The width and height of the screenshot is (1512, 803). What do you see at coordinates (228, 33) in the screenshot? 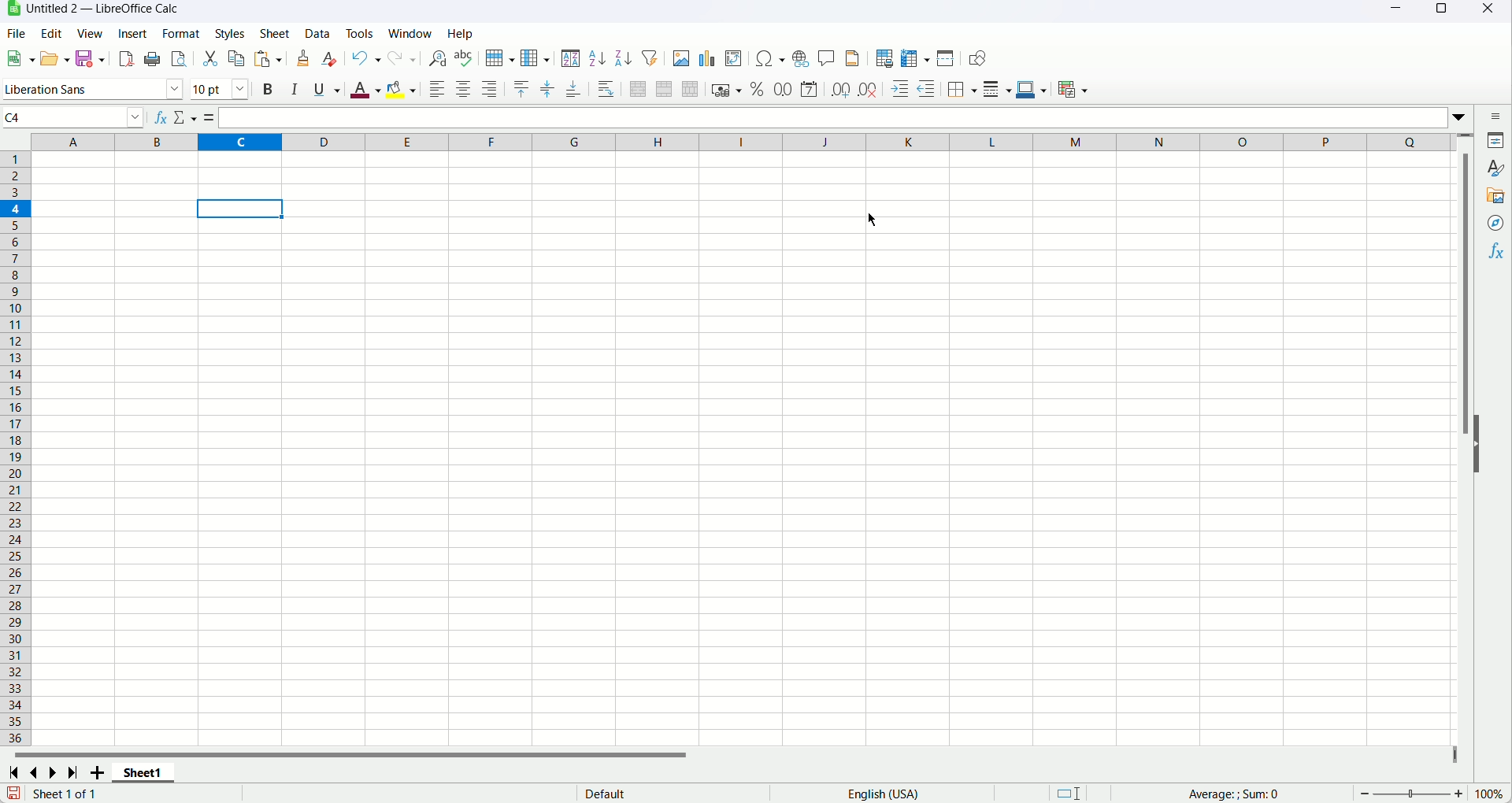
I see `Styles` at bounding box center [228, 33].